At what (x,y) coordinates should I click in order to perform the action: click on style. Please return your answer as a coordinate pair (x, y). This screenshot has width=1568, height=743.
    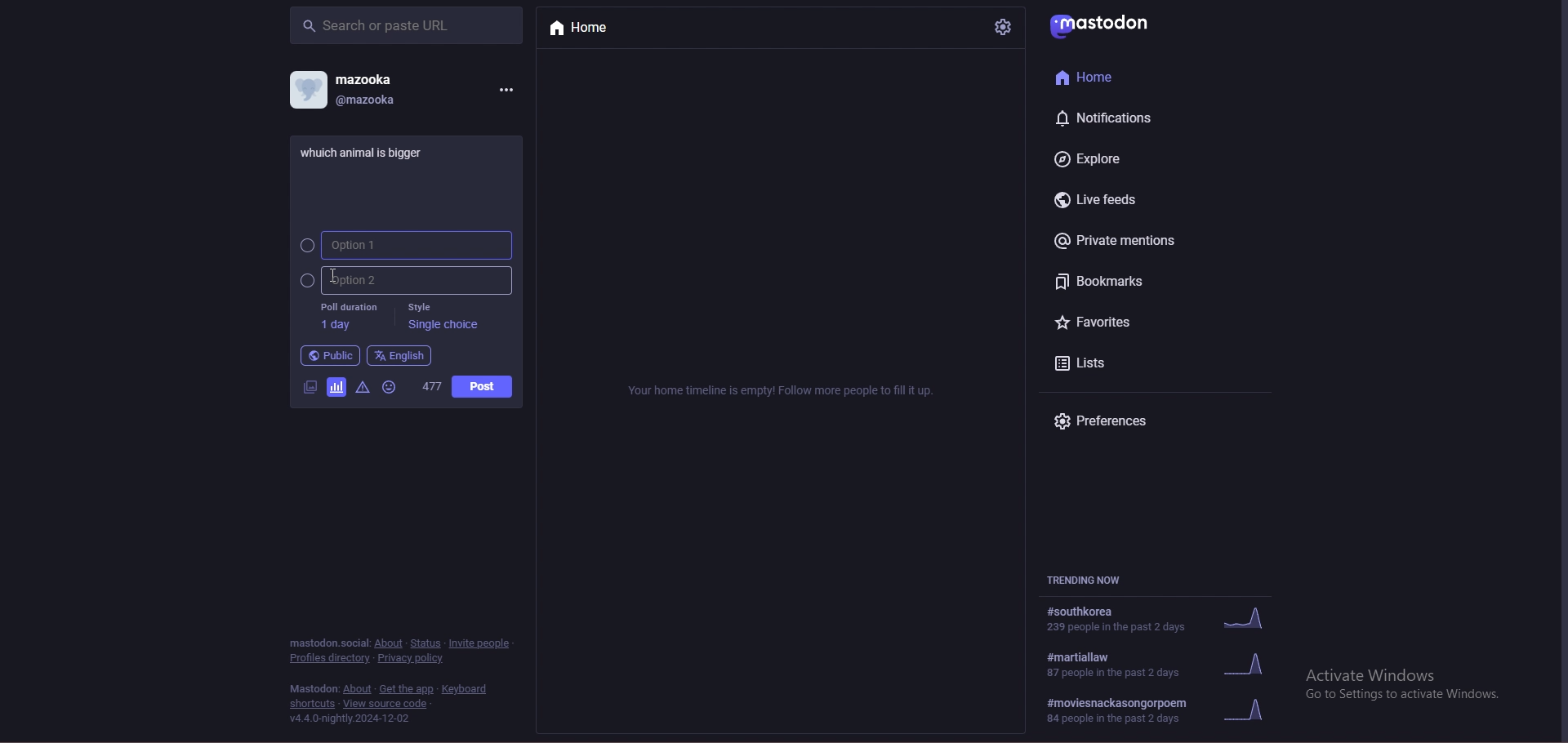
    Looking at the image, I should click on (442, 316).